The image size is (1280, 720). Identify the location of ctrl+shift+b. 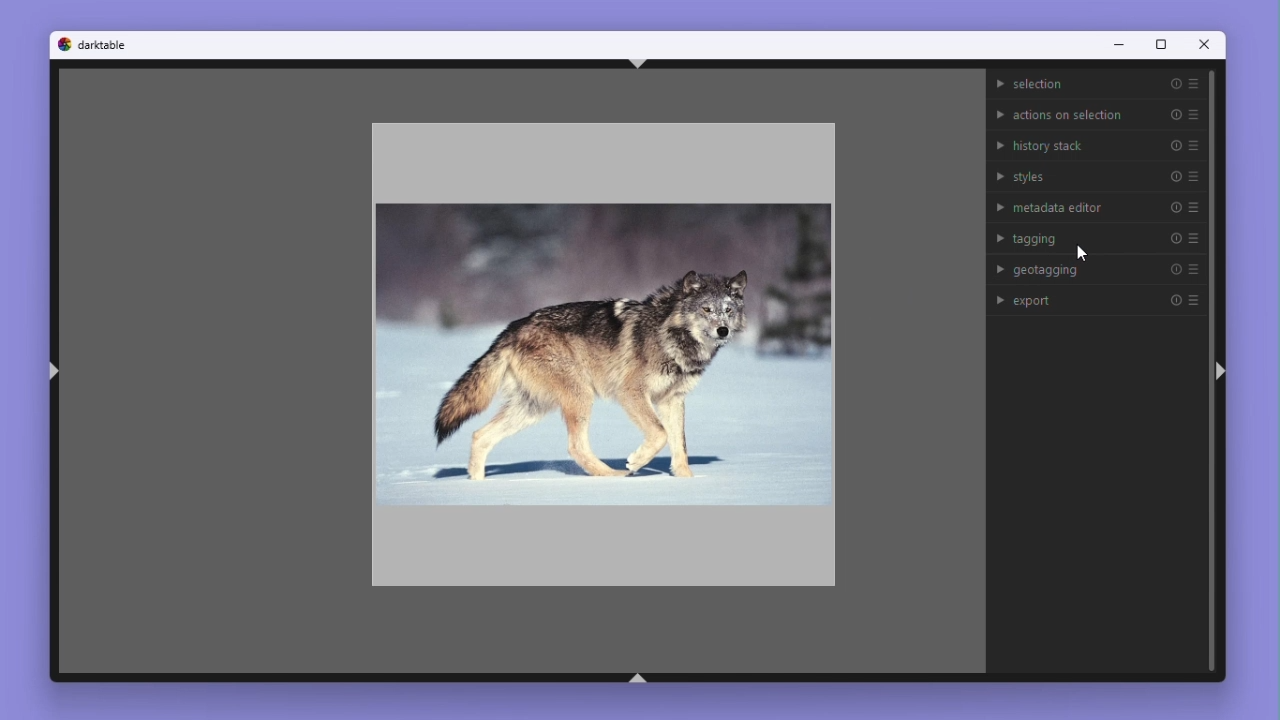
(638, 678).